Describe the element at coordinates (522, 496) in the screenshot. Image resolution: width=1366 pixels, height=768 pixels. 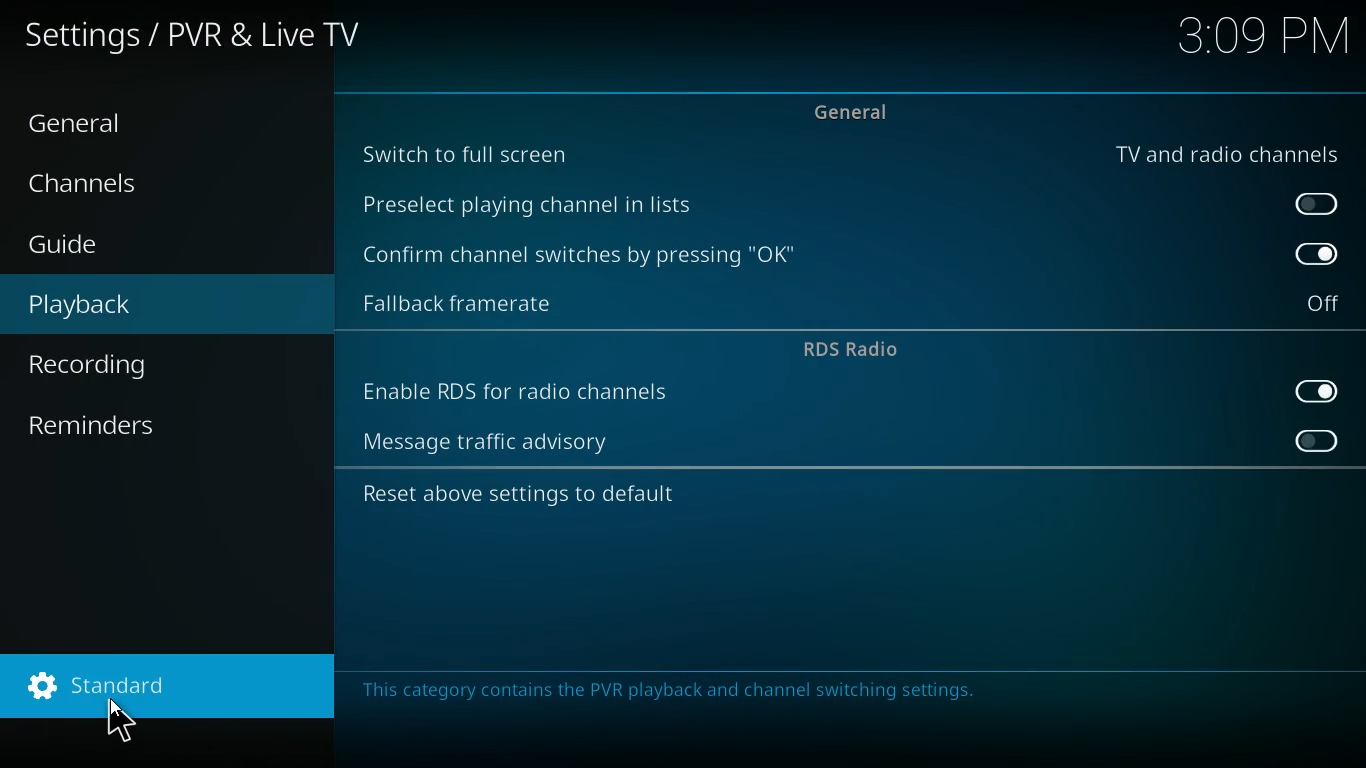
I see `reset above settings` at that location.